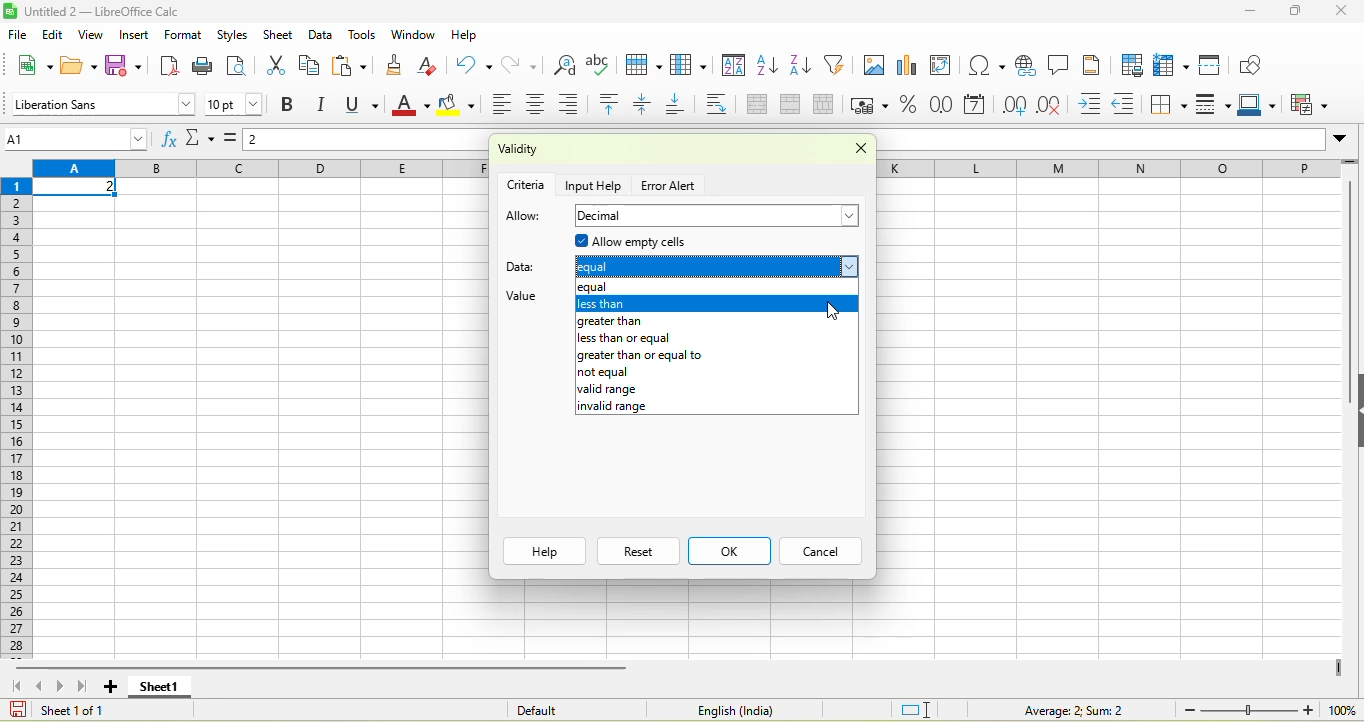 Image resolution: width=1364 pixels, height=722 pixels. Describe the element at coordinates (169, 139) in the screenshot. I see `function wizard` at that location.